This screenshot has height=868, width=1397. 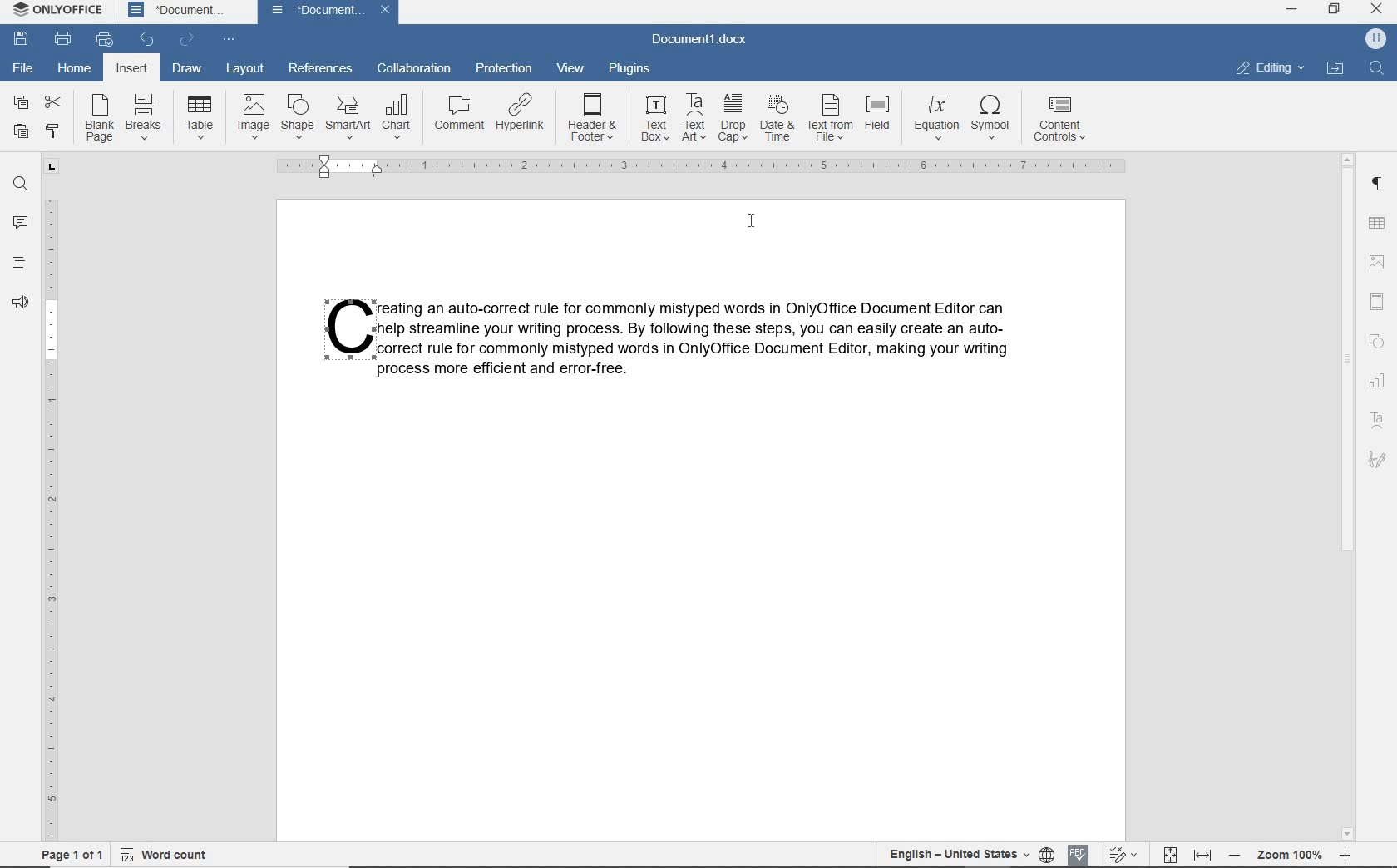 What do you see at coordinates (253, 116) in the screenshot?
I see `image` at bounding box center [253, 116].